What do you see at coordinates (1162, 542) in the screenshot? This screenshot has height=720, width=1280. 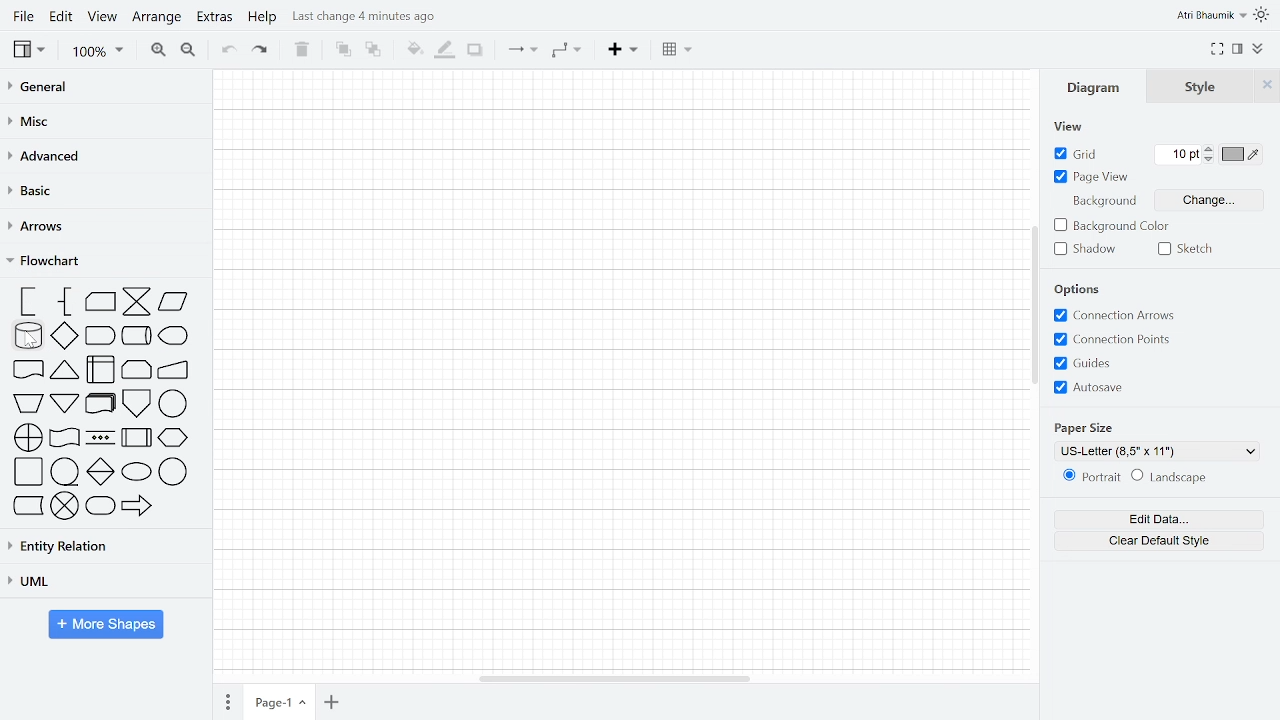 I see `Clear default style` at bounding box center [1162, 542].